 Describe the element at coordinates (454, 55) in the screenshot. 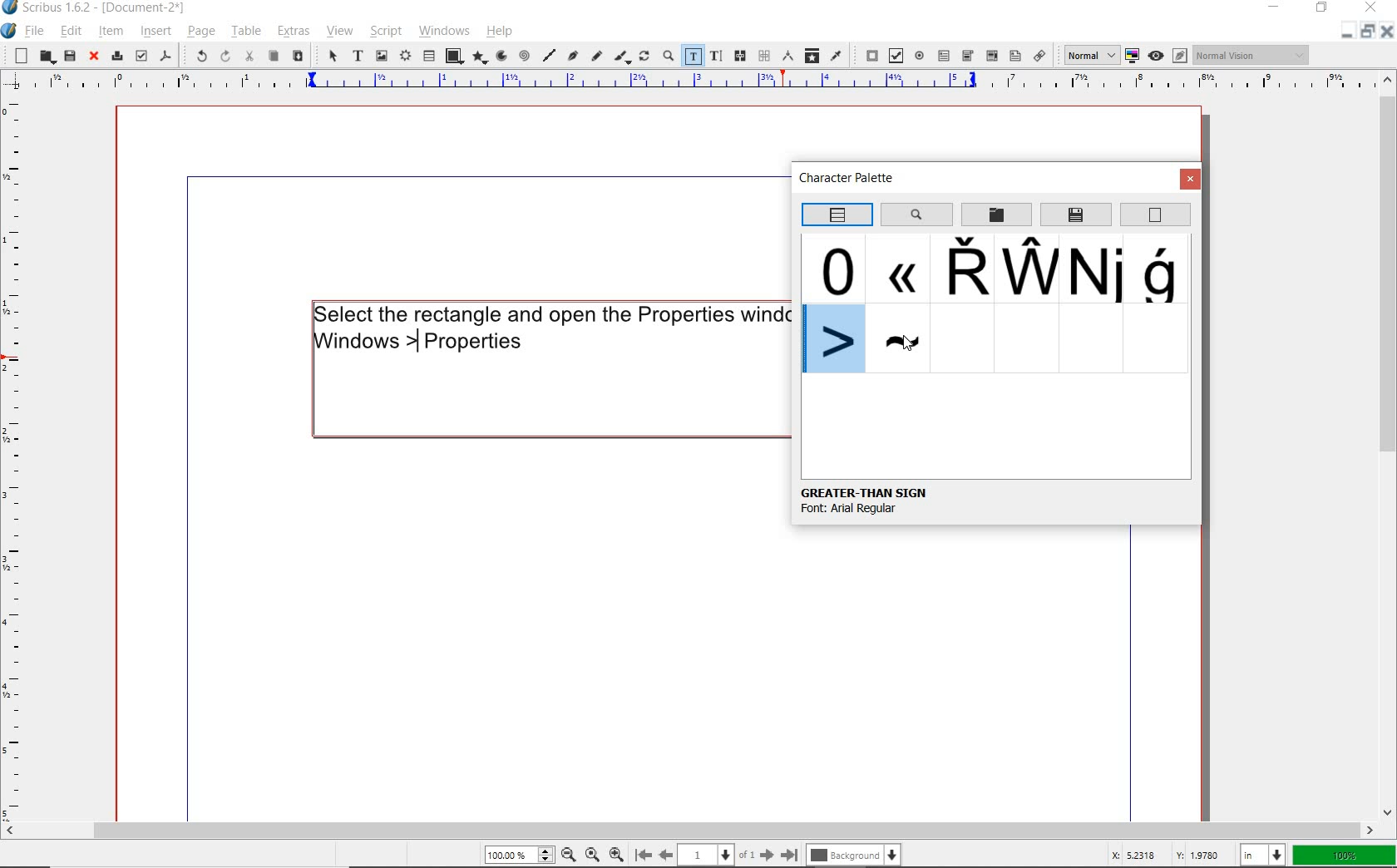

I see `shape` at that location.